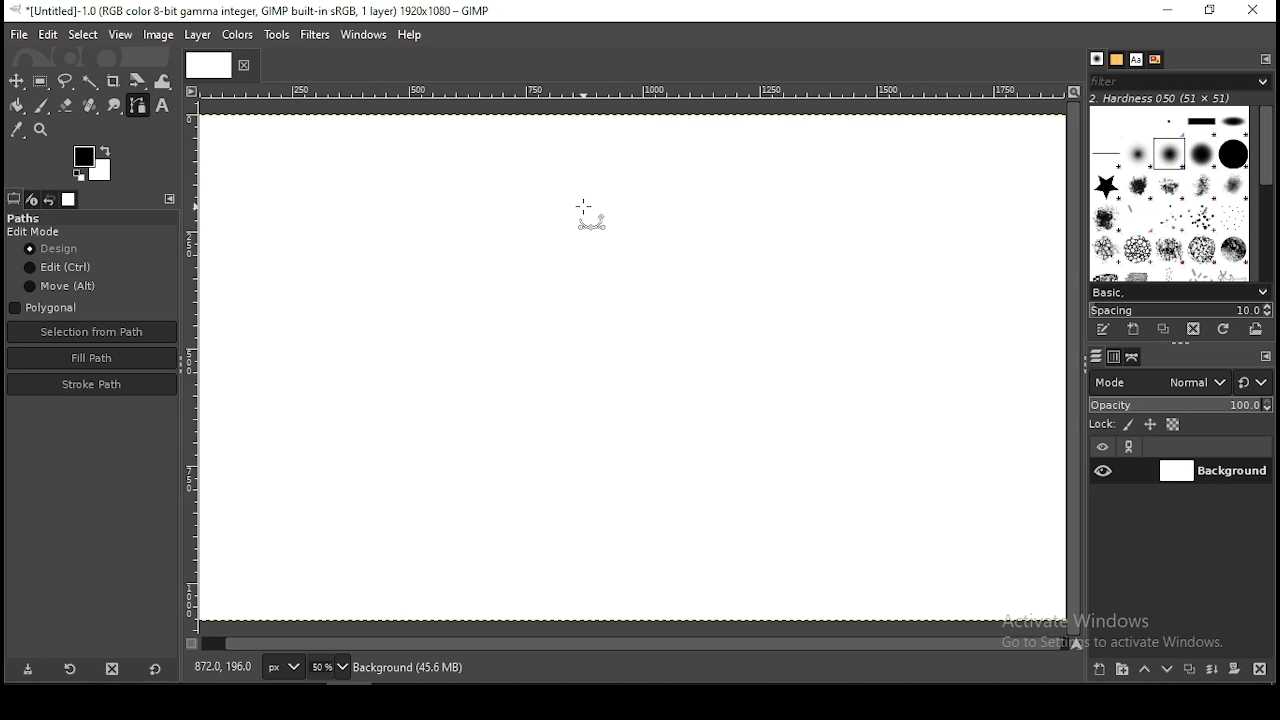  What do you see at coordinates (282, 666) in the screenshot?
I see `units` at bounding box center [282, 666].